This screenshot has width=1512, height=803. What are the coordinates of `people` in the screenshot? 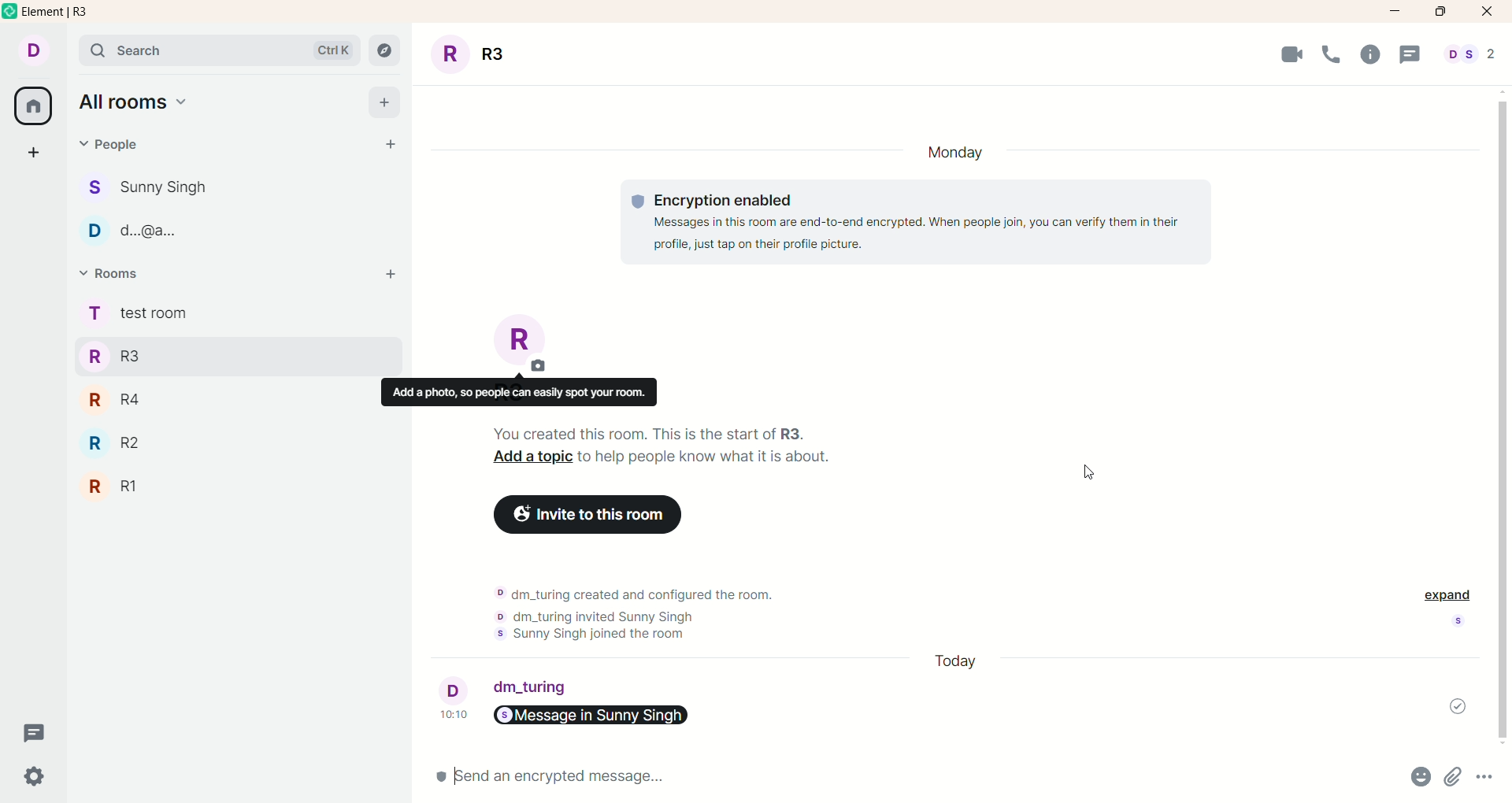 It's located at (170, 235).